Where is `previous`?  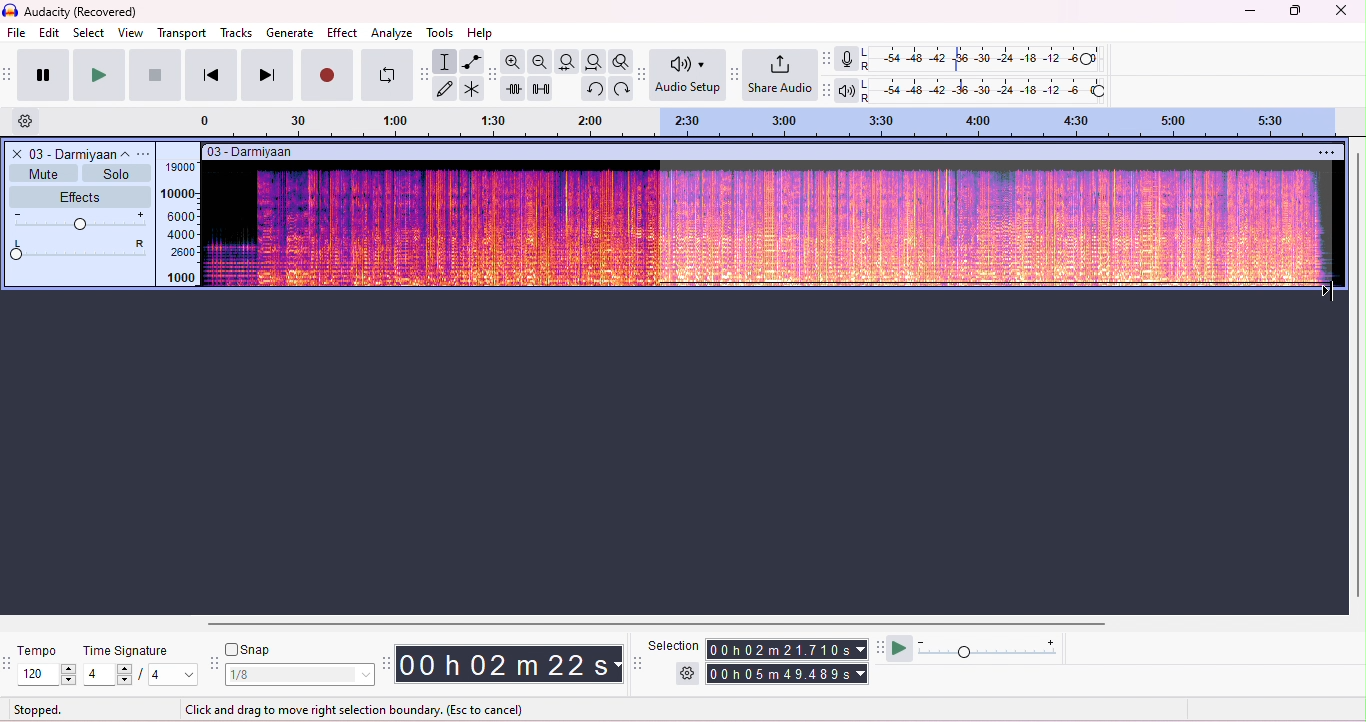
previous is located at coordinates (210, 75).